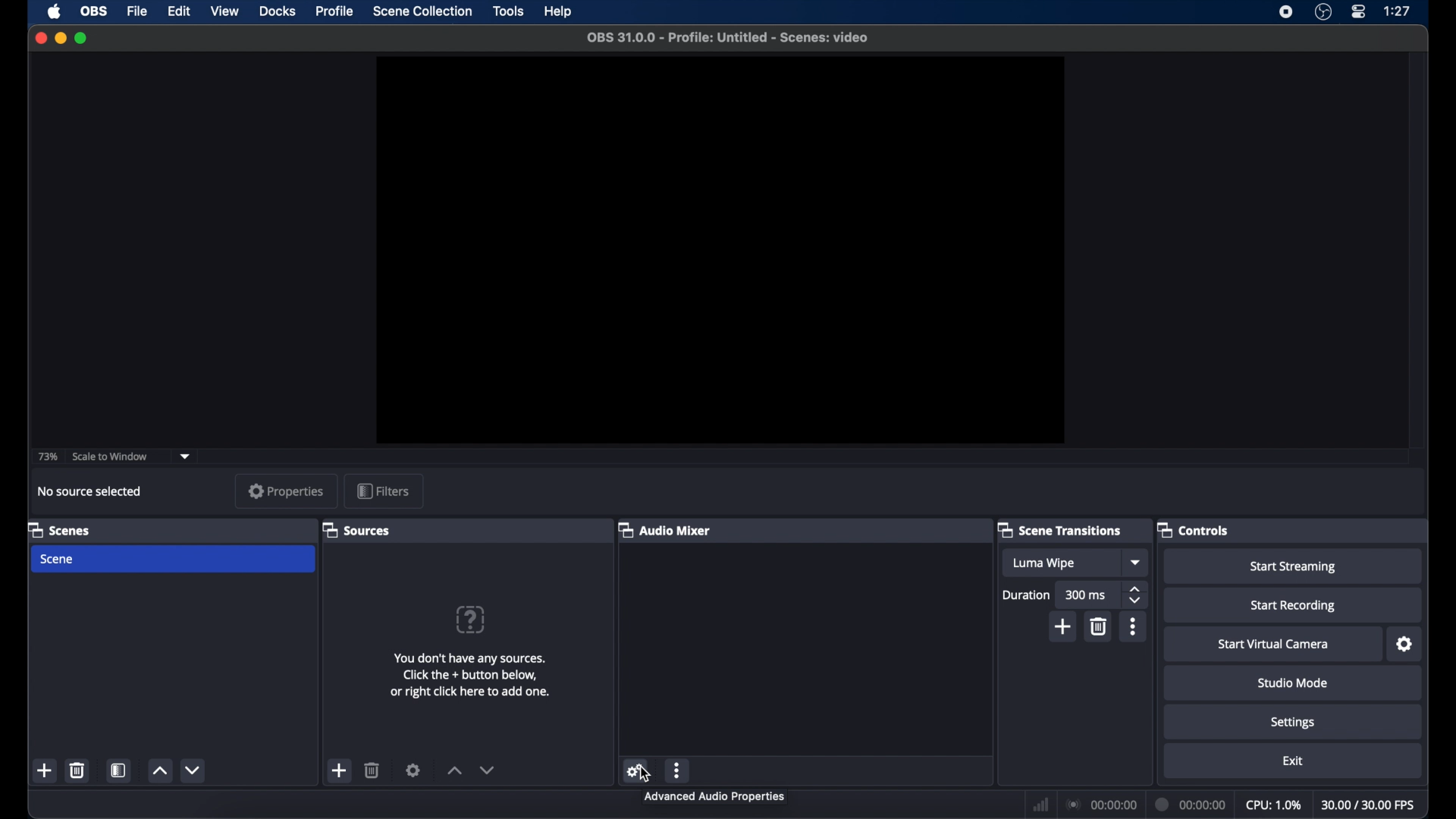 This screenshot has width=1456, height=819. What do you see at coordinates (58, 560) in the screenshot?
I see `scene` at bounding box center [58, 560].